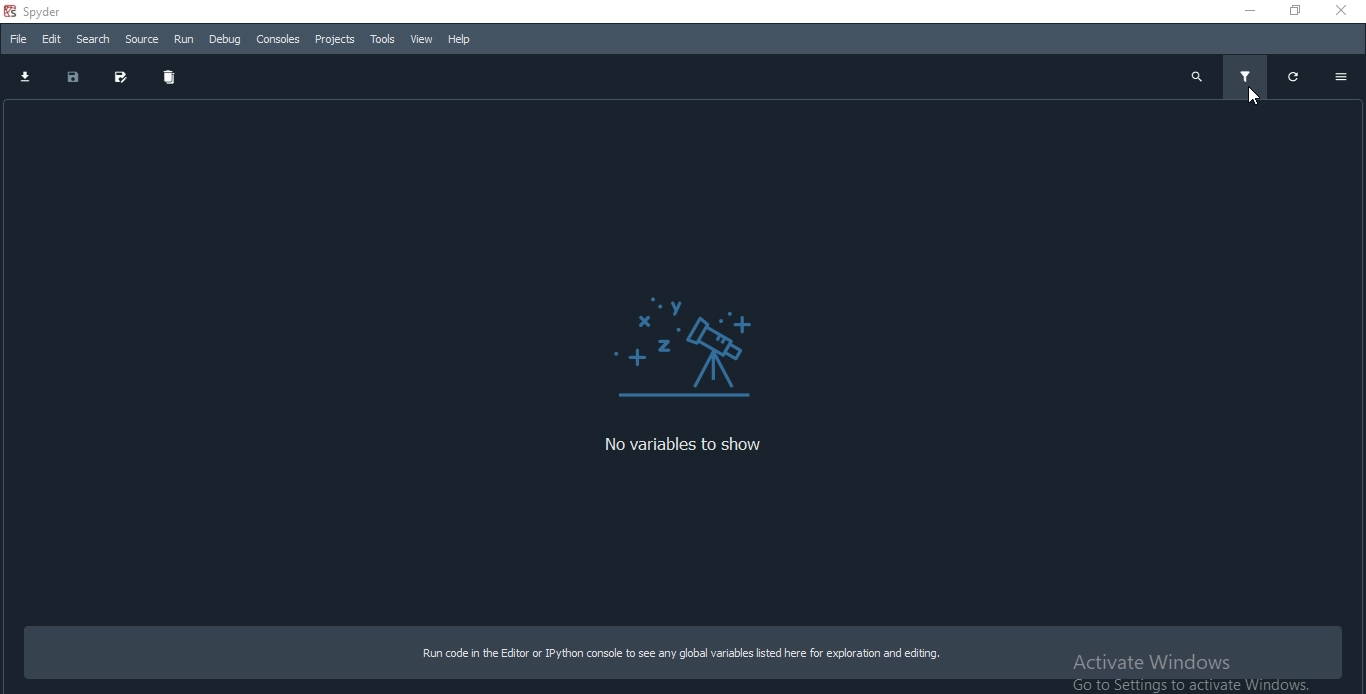 The width and height of the screenshot is (1366, 694). Describe the element at coordinates (185, 38) in the screenshot. I see `Run` at that location.